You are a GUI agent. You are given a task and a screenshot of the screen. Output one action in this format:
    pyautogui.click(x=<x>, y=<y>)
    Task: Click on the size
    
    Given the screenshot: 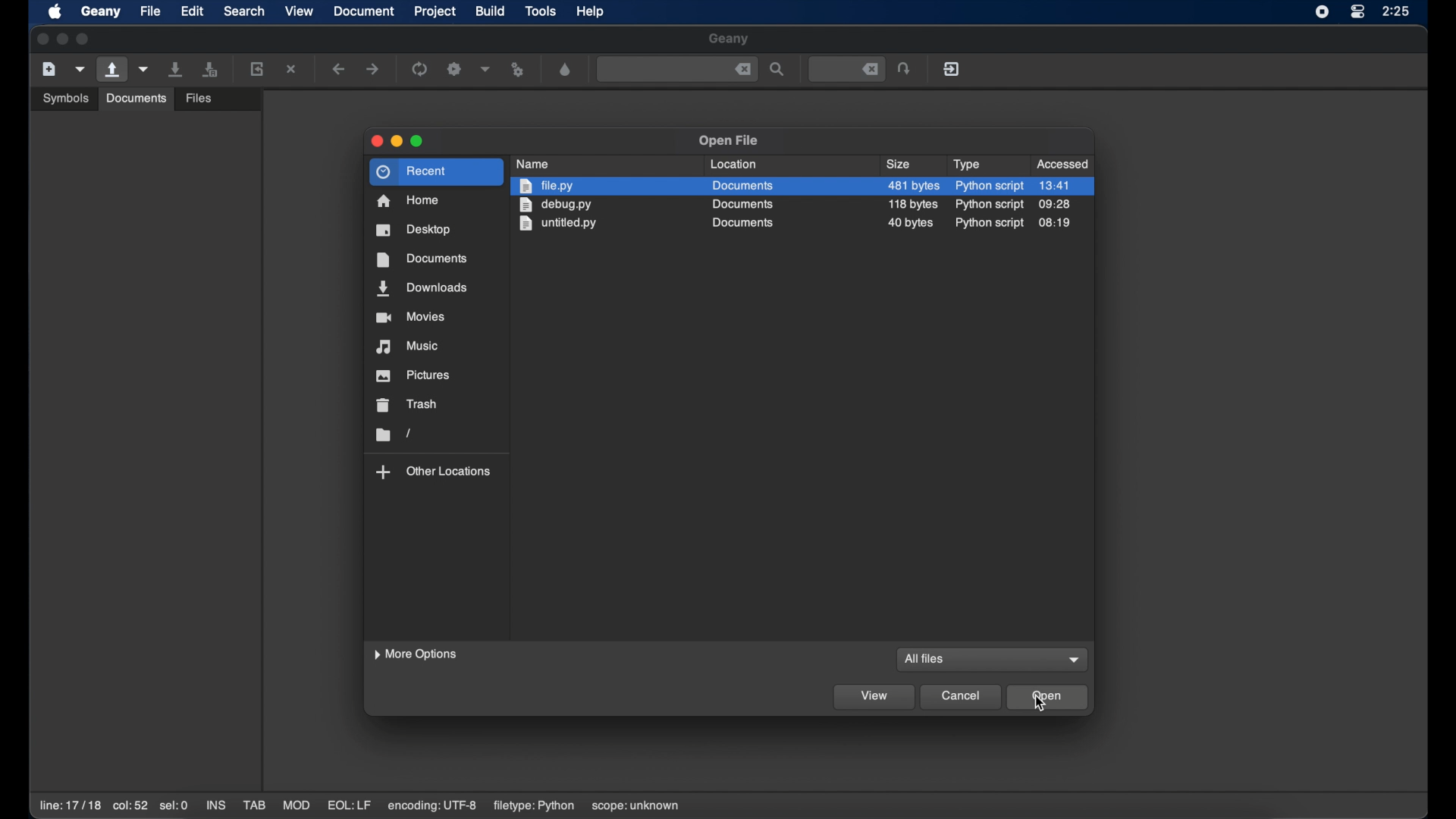 What is the action you would take?
    pyautogui.click(x=914, y=204)
    